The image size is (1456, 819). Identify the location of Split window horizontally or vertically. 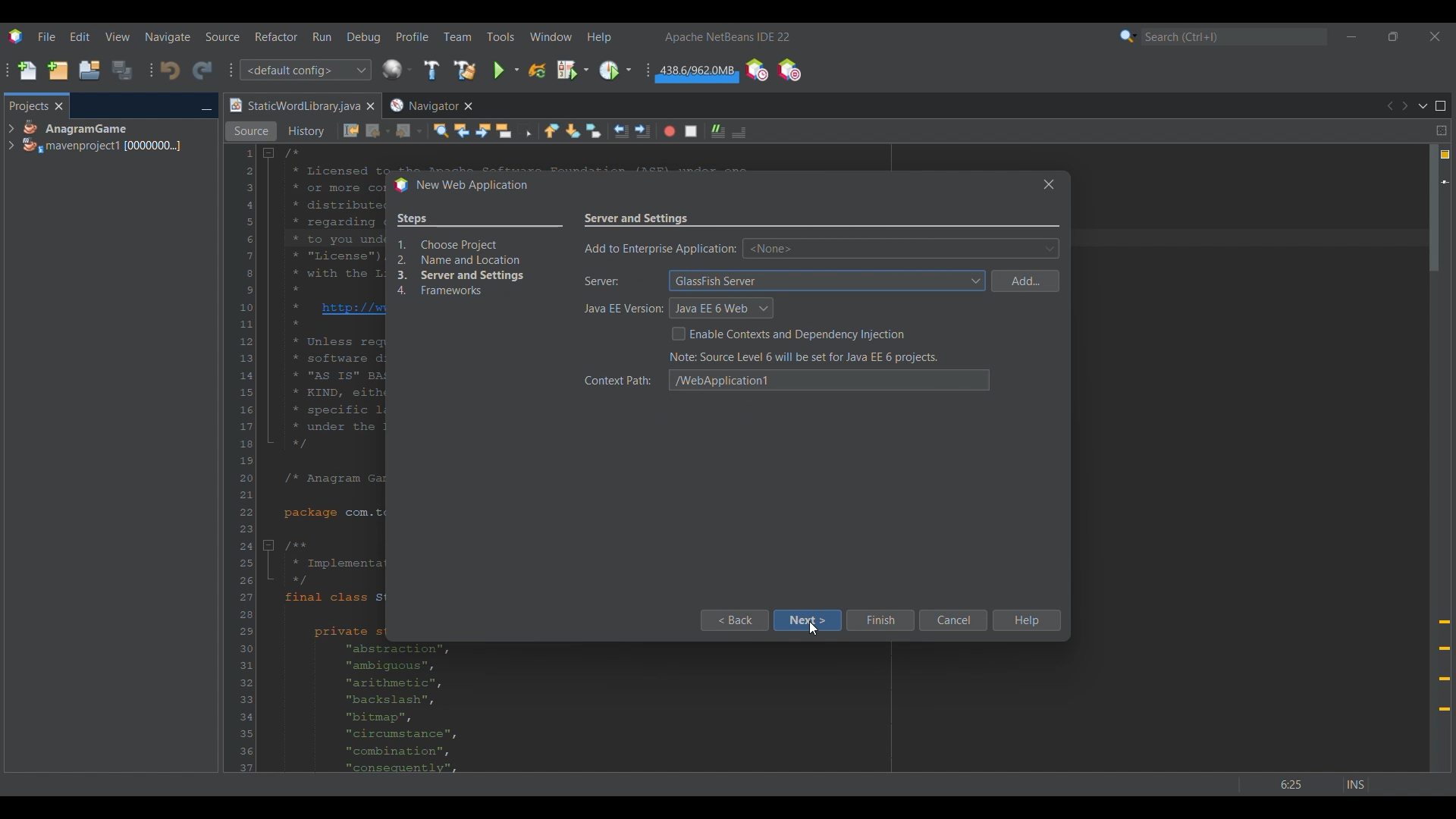
(1441, 130).